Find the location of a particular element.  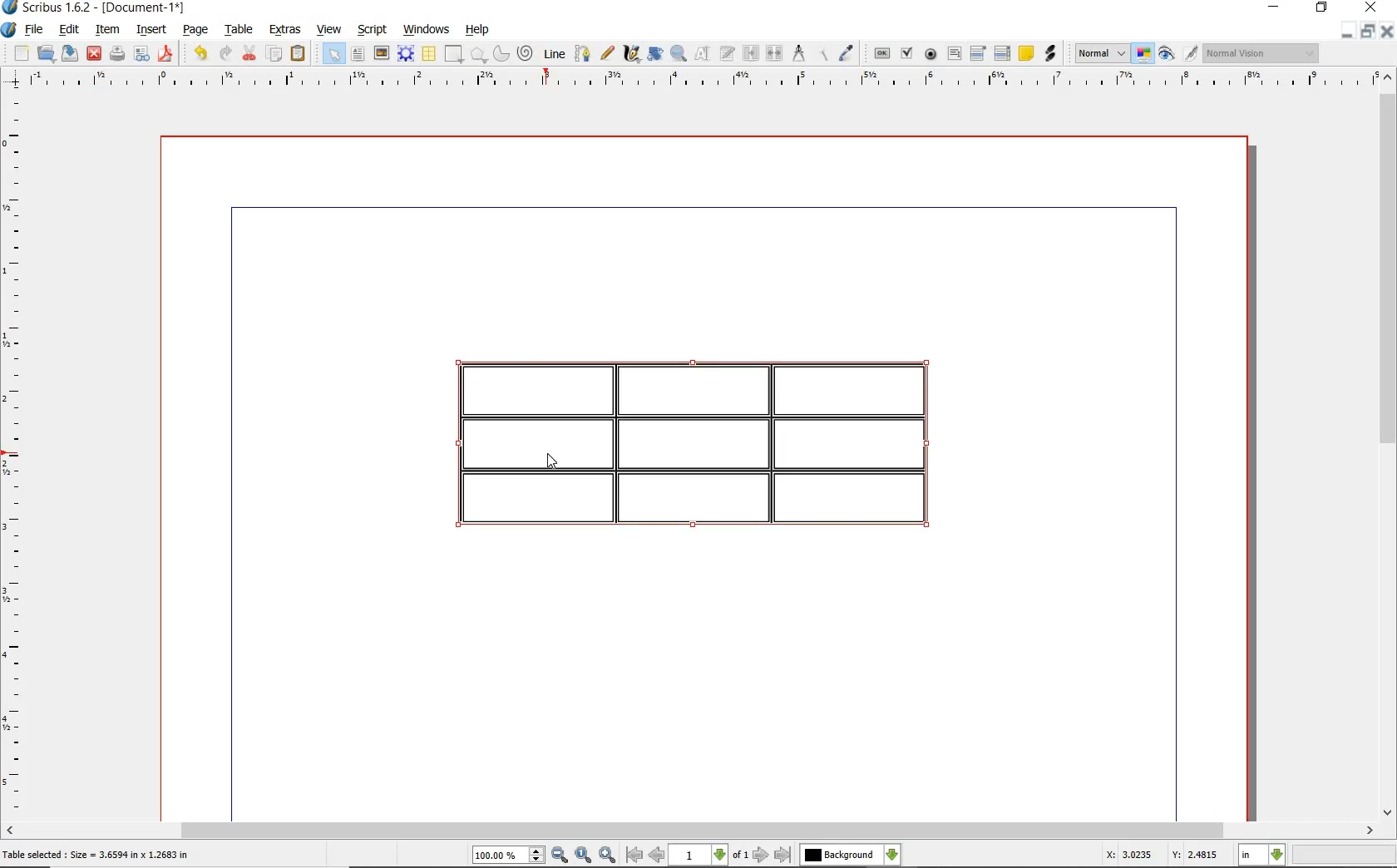

item is located at coordinates (106, 31).